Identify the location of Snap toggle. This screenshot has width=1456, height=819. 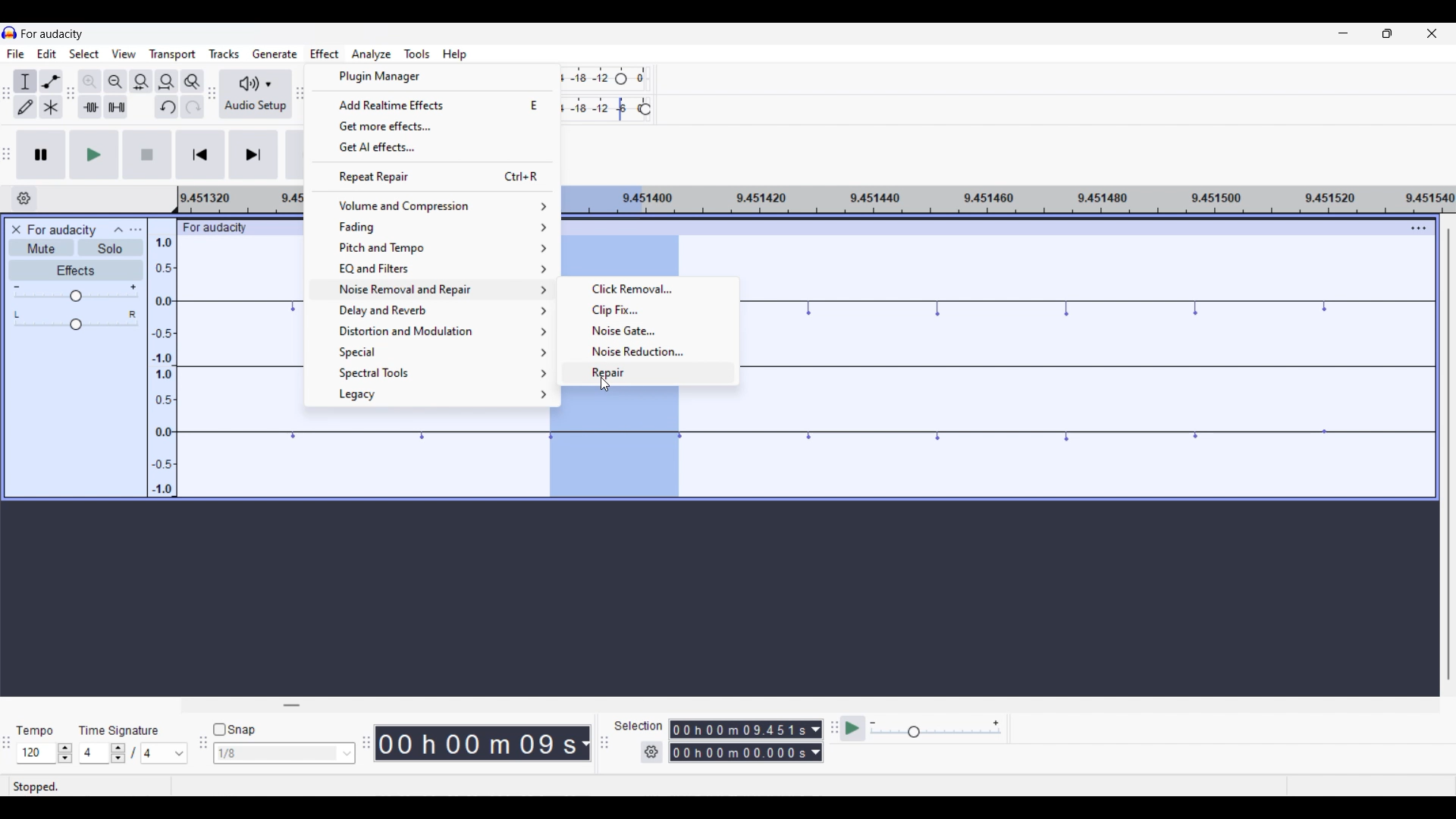
(234, 729).